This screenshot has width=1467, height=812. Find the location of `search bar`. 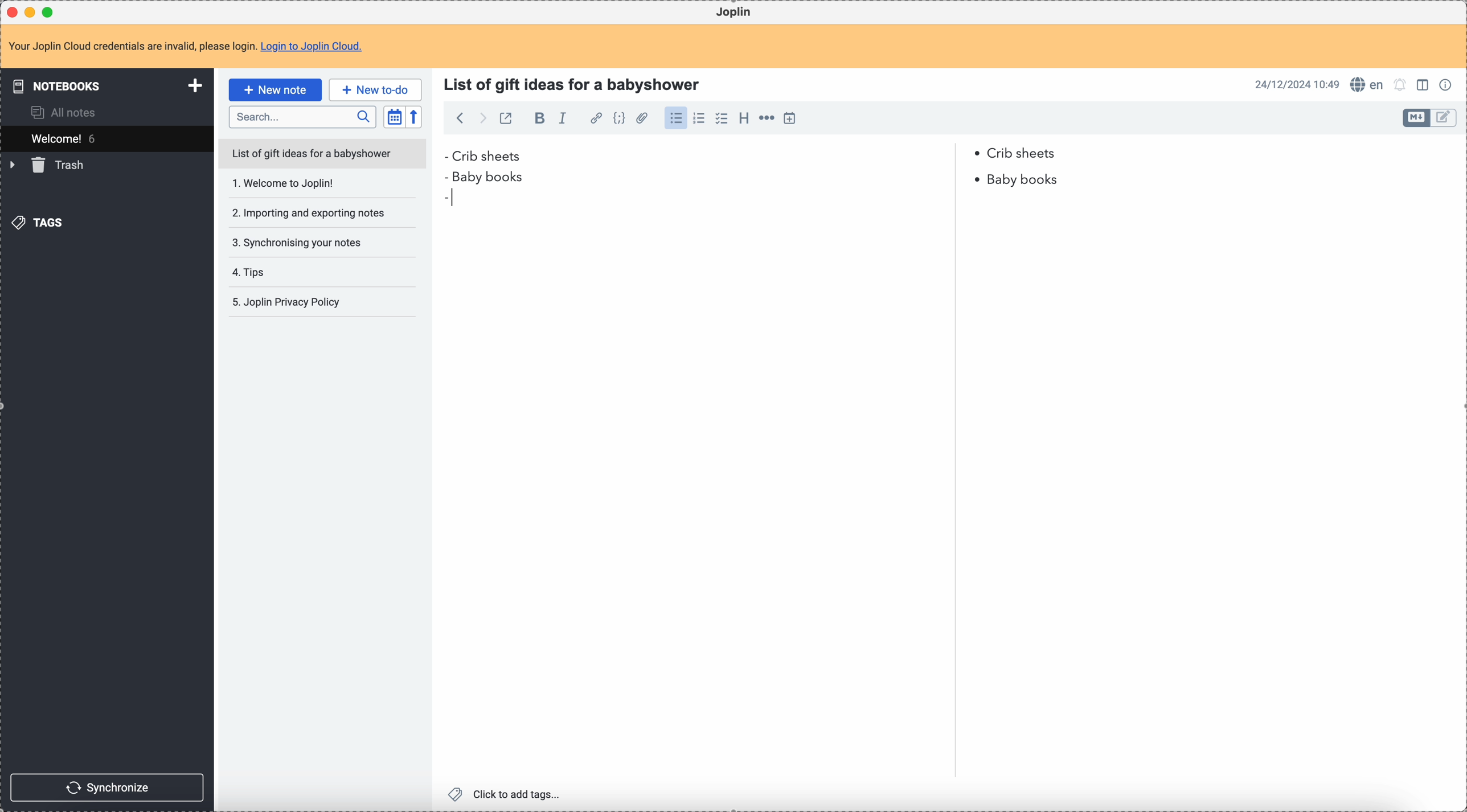

search bar is located at coordinates (302, 117).